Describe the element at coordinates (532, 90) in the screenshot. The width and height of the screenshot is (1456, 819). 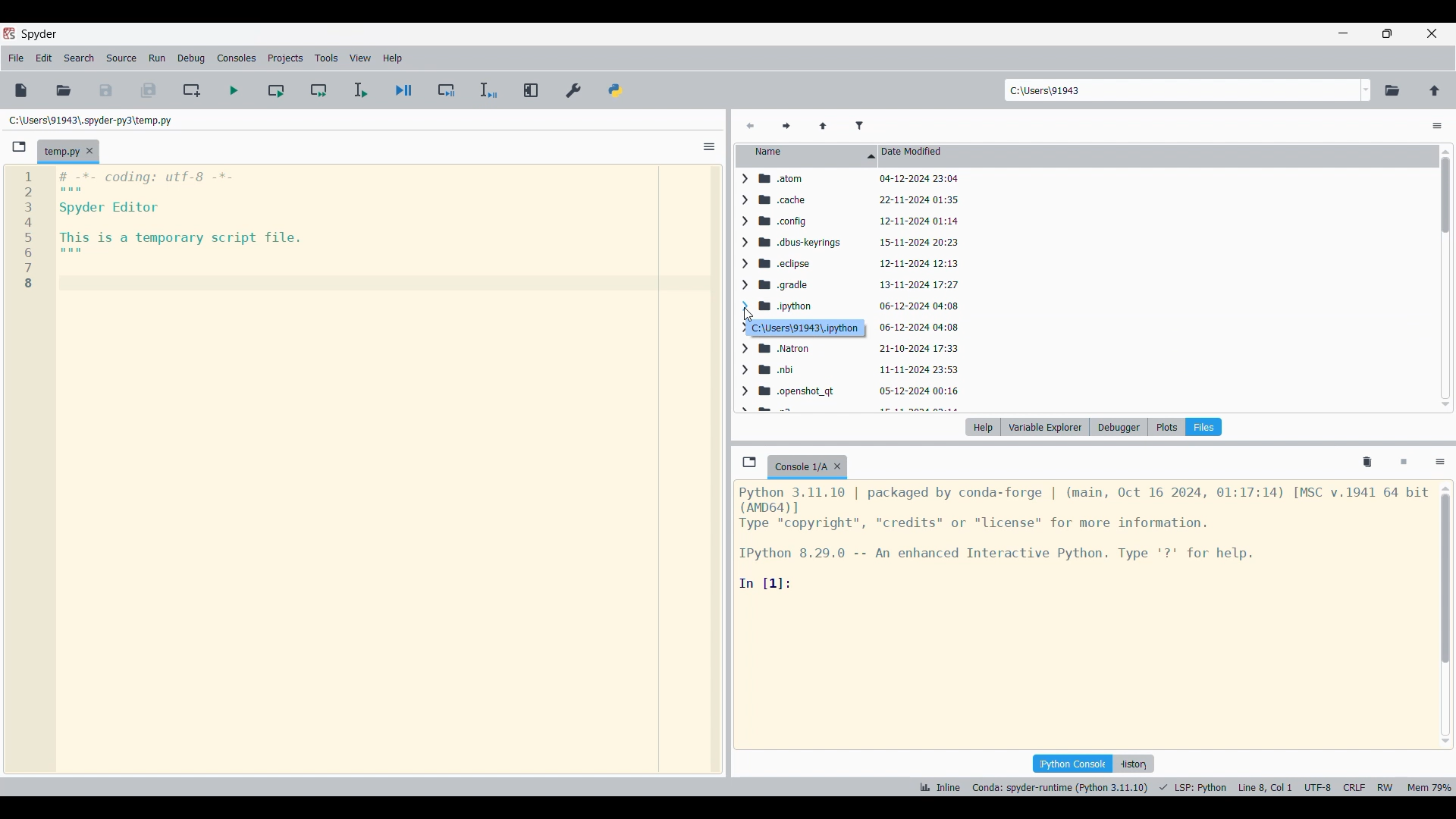
I see `Maximize current pane` at that location.